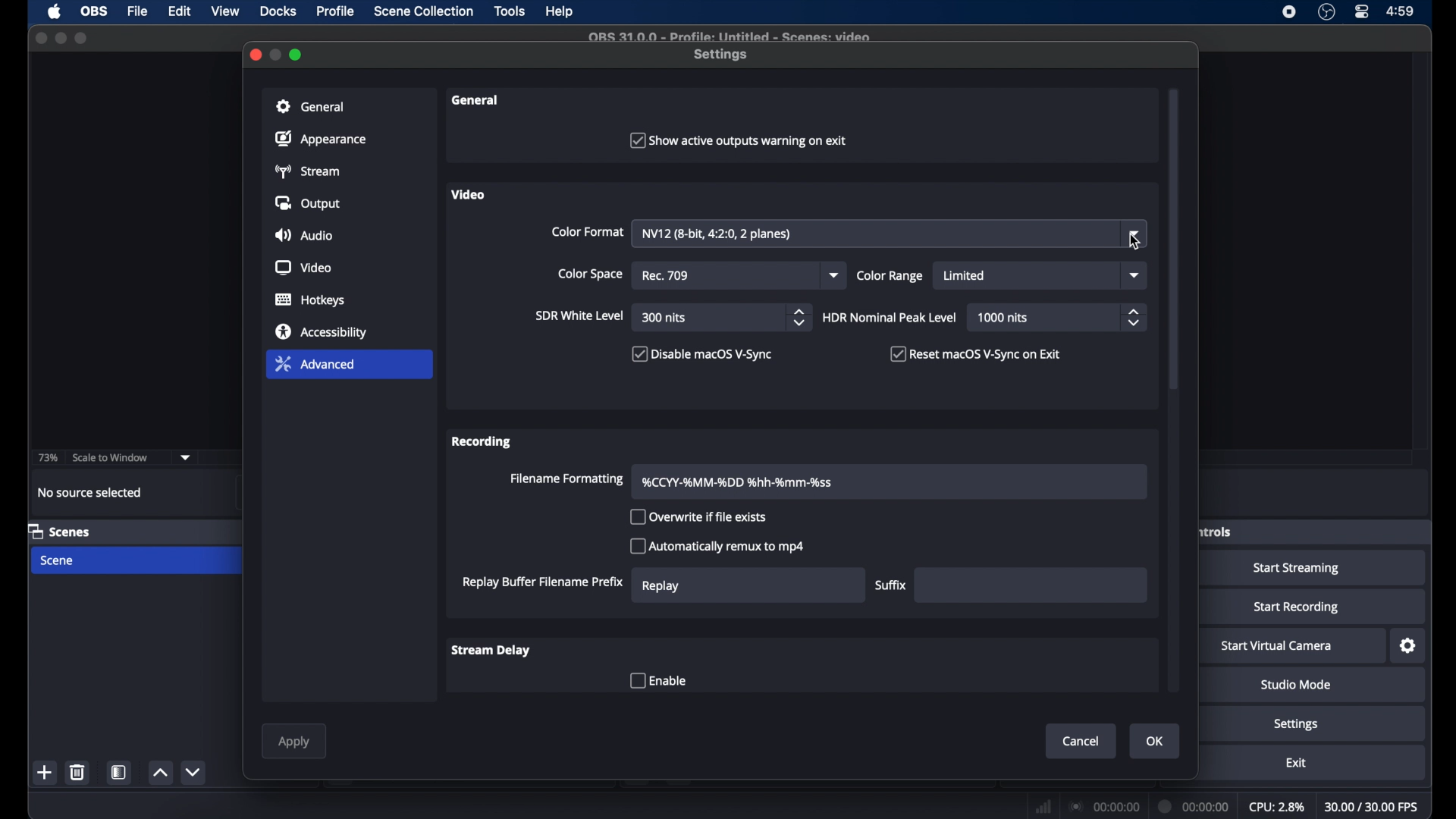 This screenshot has width=1456, height=819. Describe the element at coordinates (1003, 318) in the screenshot. I see `1000 nits` at that location.